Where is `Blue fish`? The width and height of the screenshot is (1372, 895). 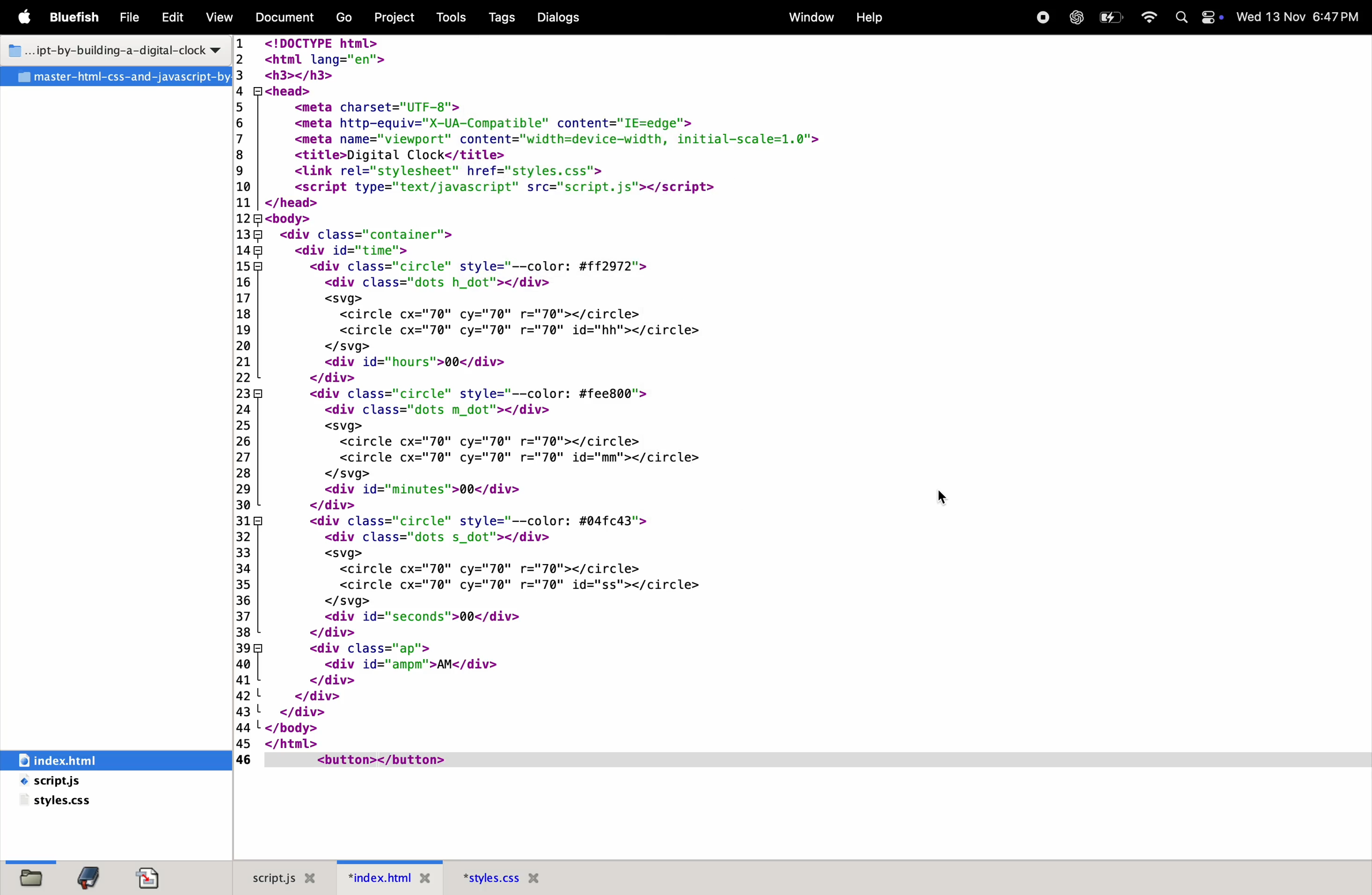
Blue fish is located at coordinates (79, 16).